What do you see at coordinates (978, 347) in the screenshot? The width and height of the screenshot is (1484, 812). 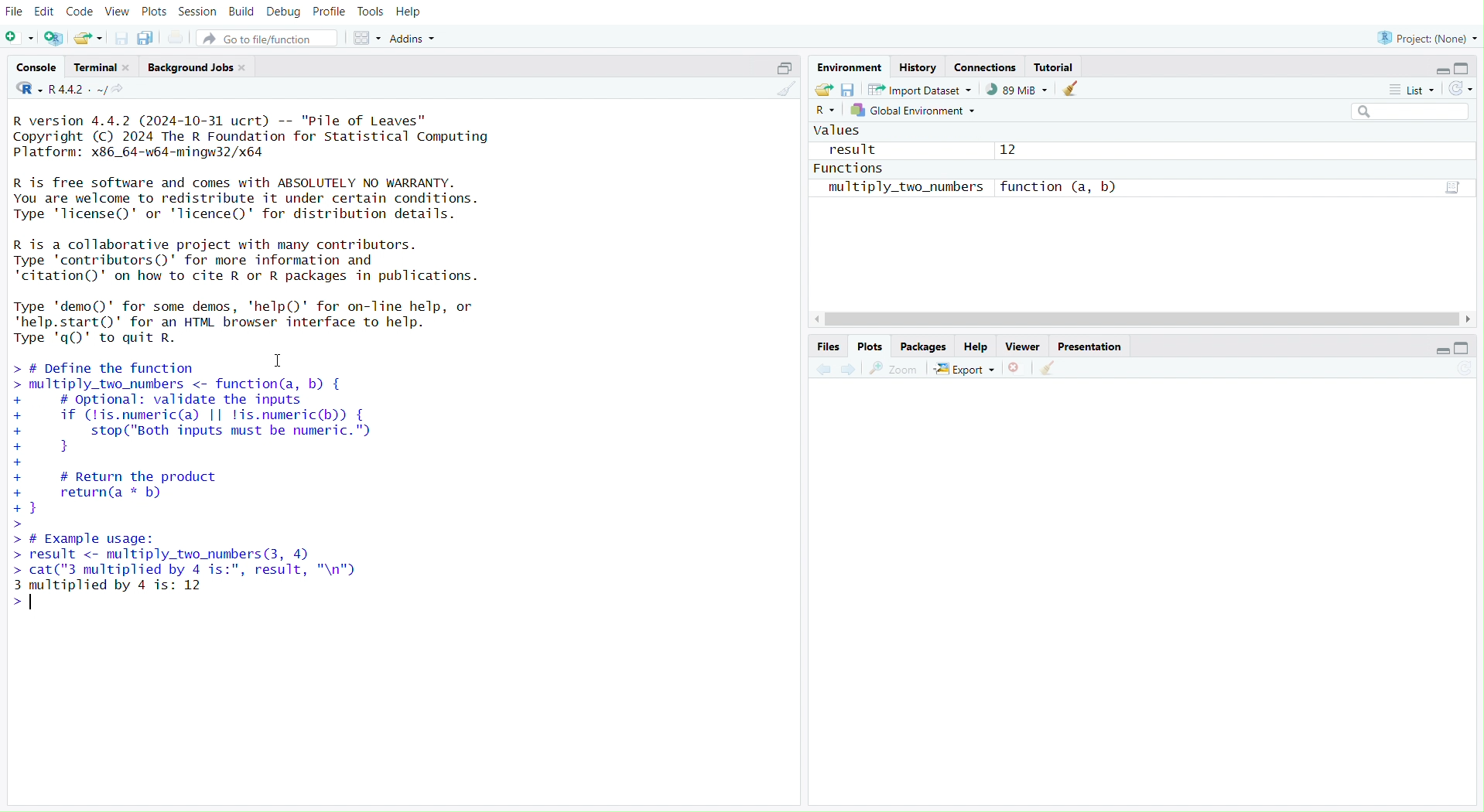 I see `Help` at bounding box center [978, 347].